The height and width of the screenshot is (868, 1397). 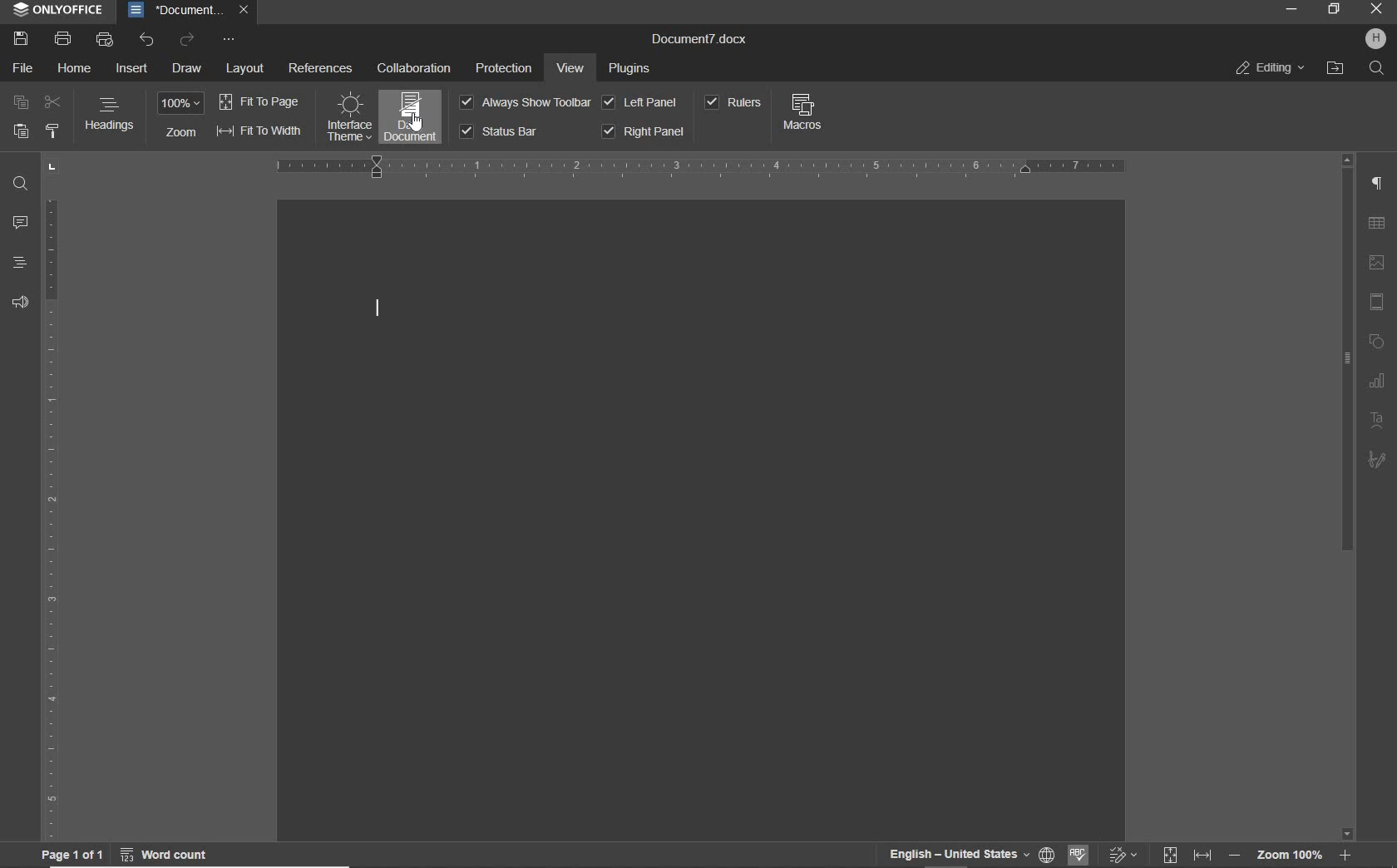 I want to click on HEADINGS, so click(x=19, y=263).